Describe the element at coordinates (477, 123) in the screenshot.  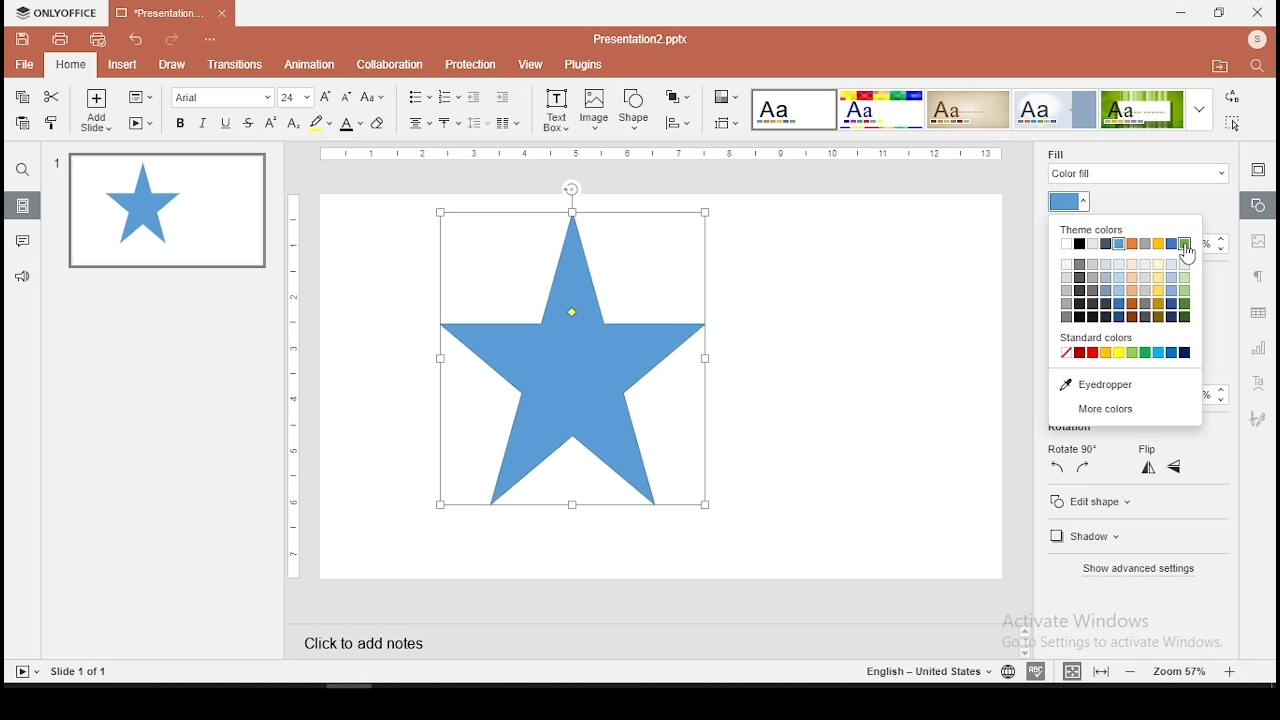
I see `spacing` at that location.